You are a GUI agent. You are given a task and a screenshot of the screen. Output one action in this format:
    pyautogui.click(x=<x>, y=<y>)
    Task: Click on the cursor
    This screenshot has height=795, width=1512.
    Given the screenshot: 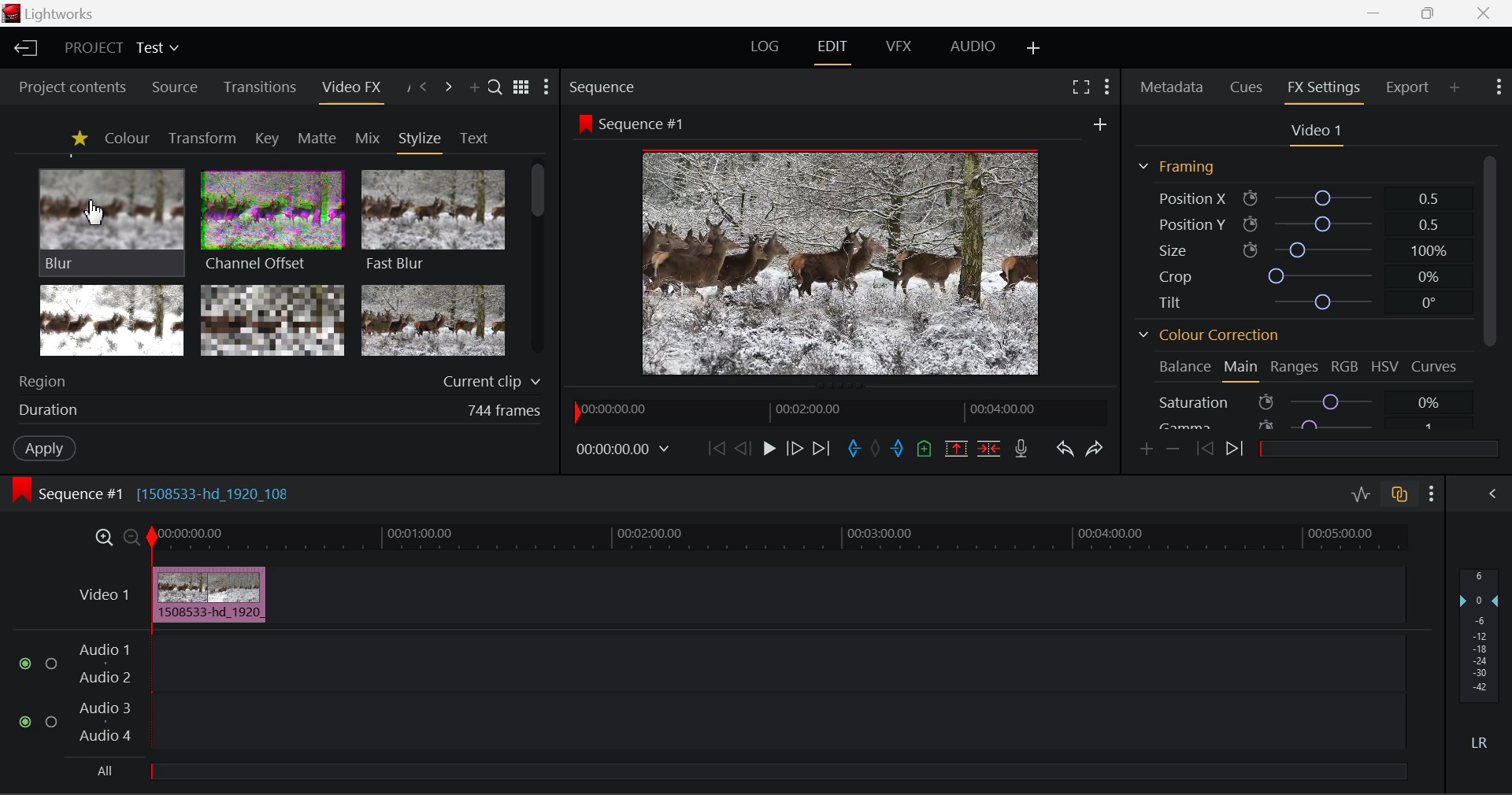 What is the action you would take?
    pyautogui.click(x=94, y=213)
    